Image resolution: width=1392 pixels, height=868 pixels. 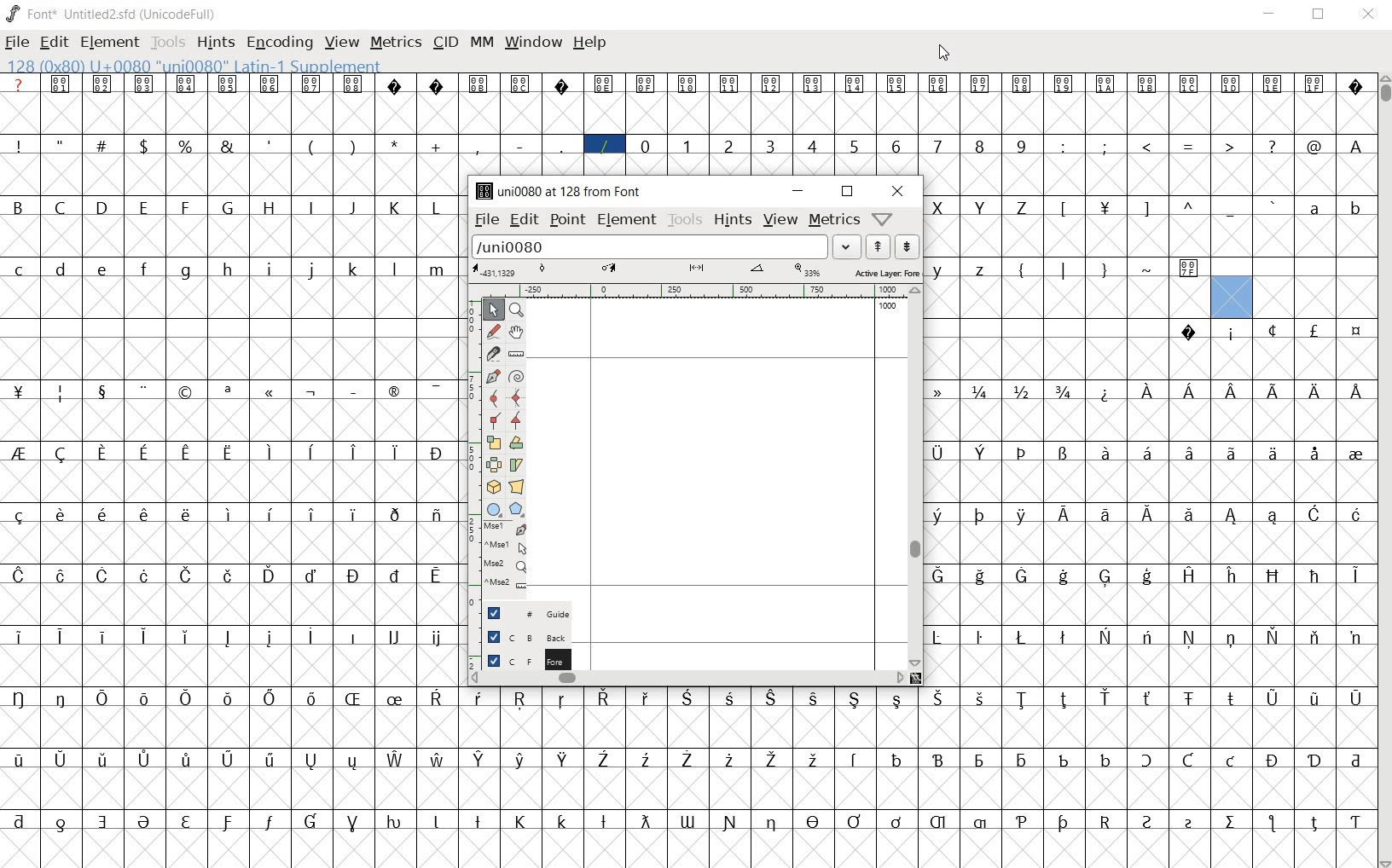 I want to click on glyph, so click(x=395, y=144).